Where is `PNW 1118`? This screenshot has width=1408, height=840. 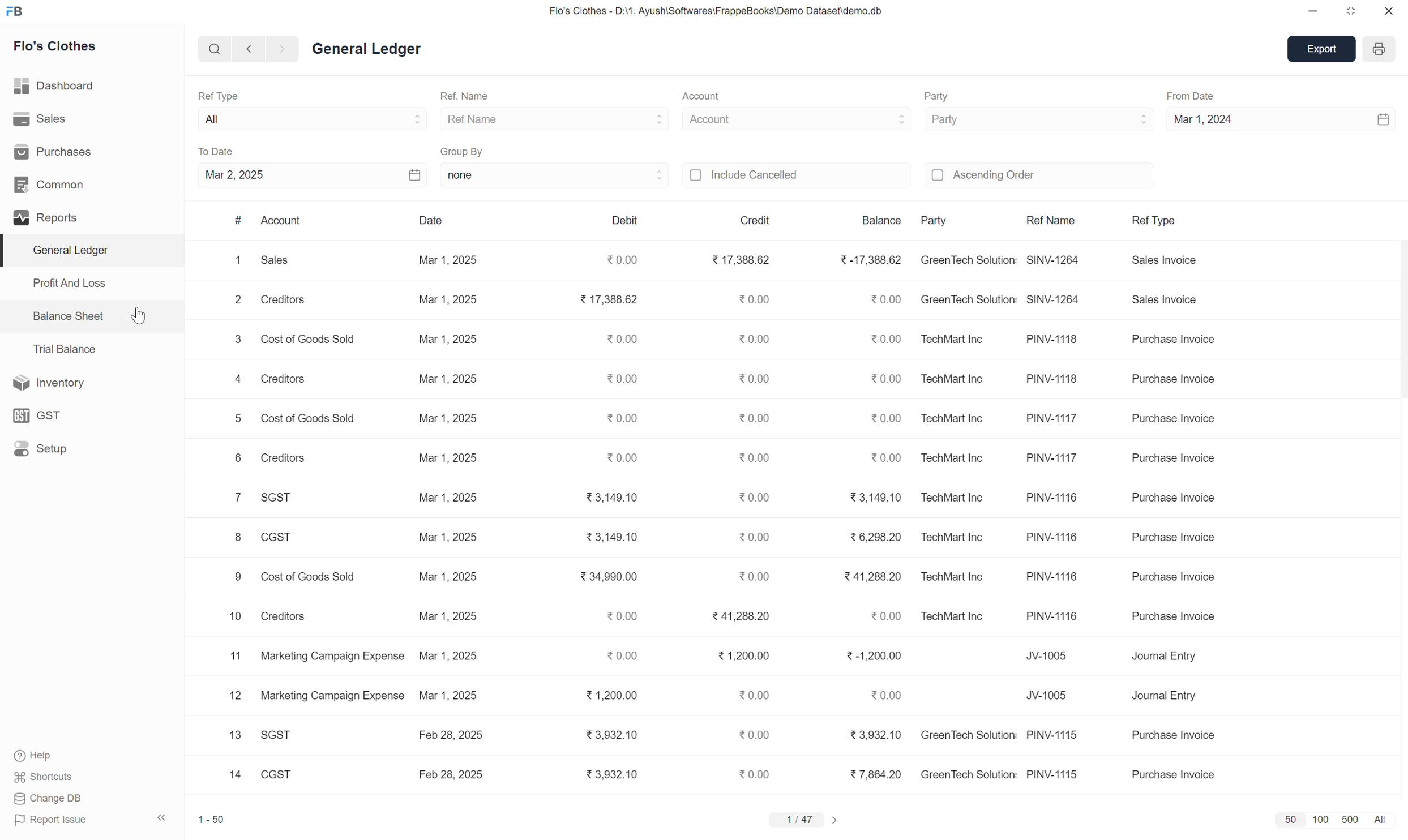 PNW 1118 is located at coordinates (1044, 338).